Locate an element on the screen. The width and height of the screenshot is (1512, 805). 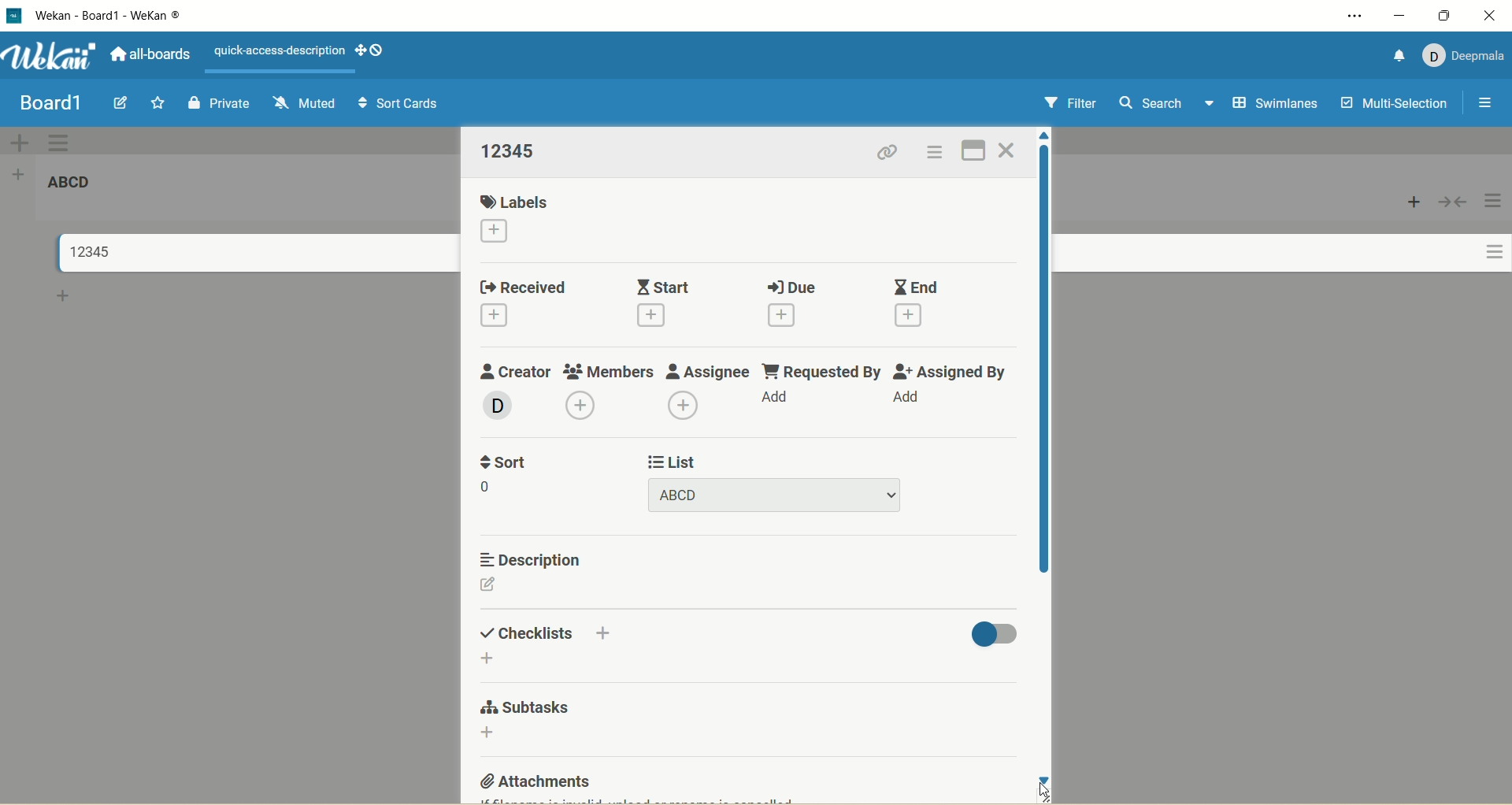
private is located at coordinates (220, 101).